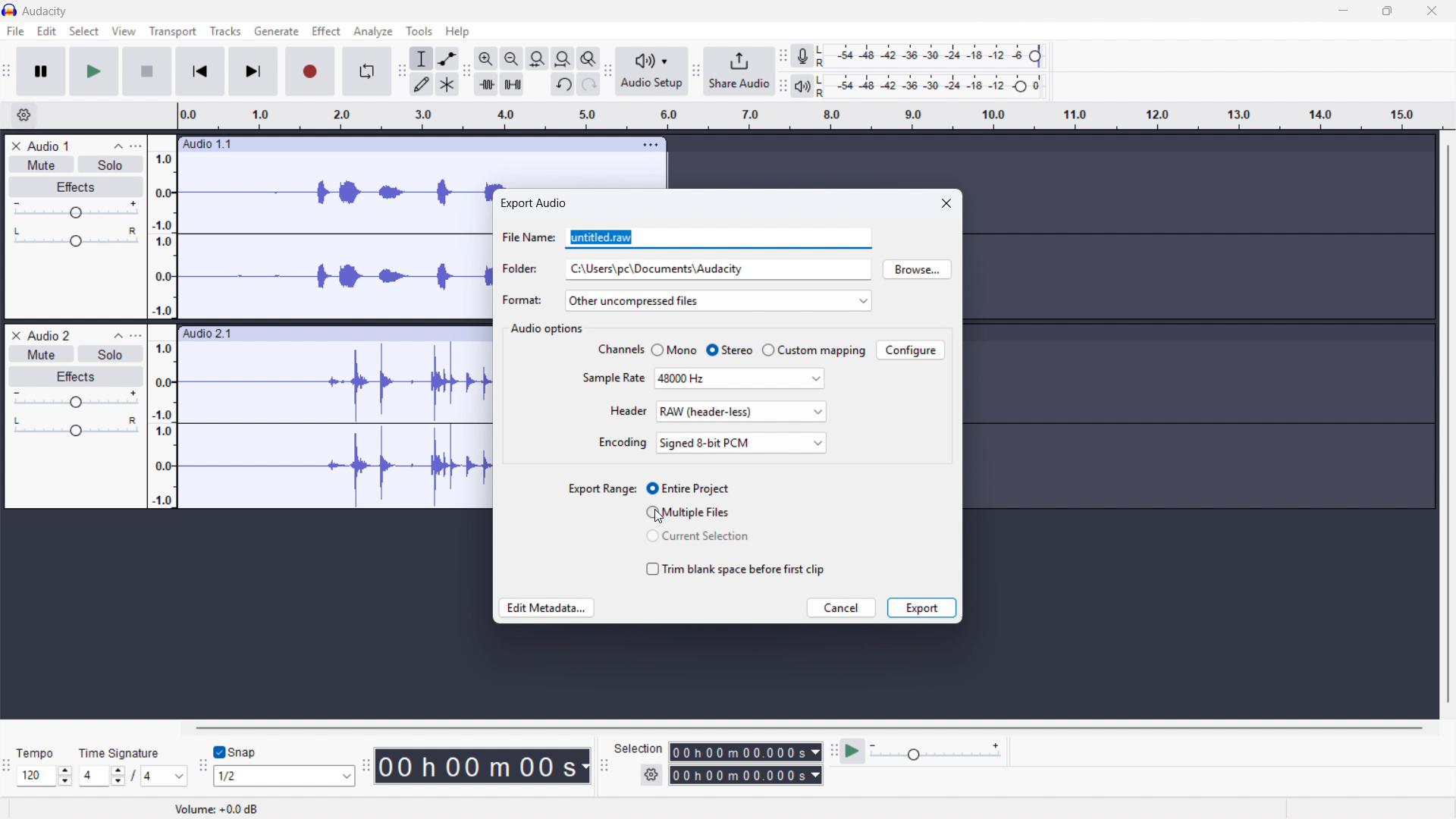 The image size is (1456, 819). I want to click on remove track, so click(15, 146).